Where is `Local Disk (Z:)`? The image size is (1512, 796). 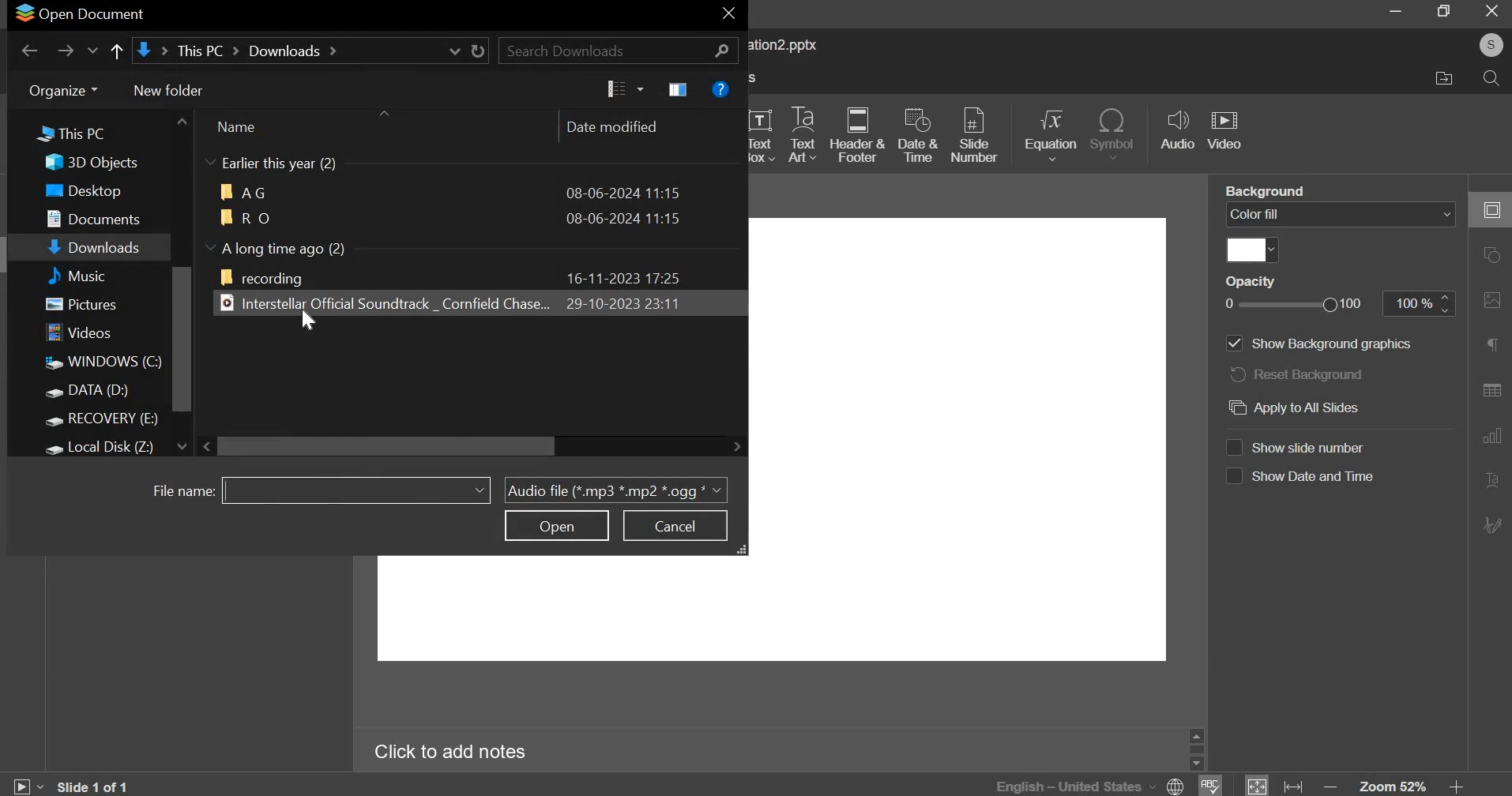
Local Disk (Z:) is located at coordinates (101, 449).